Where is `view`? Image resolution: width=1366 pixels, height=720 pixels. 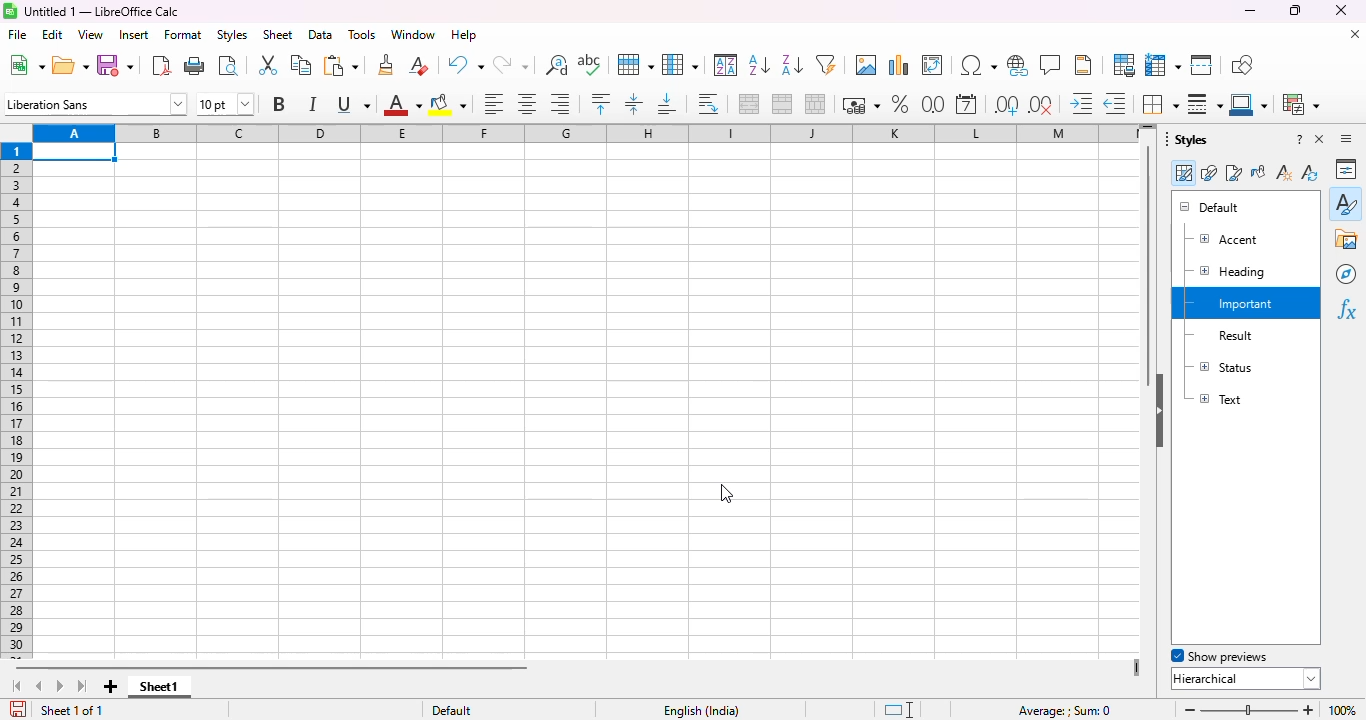
view is located at coordinates (90, 35).